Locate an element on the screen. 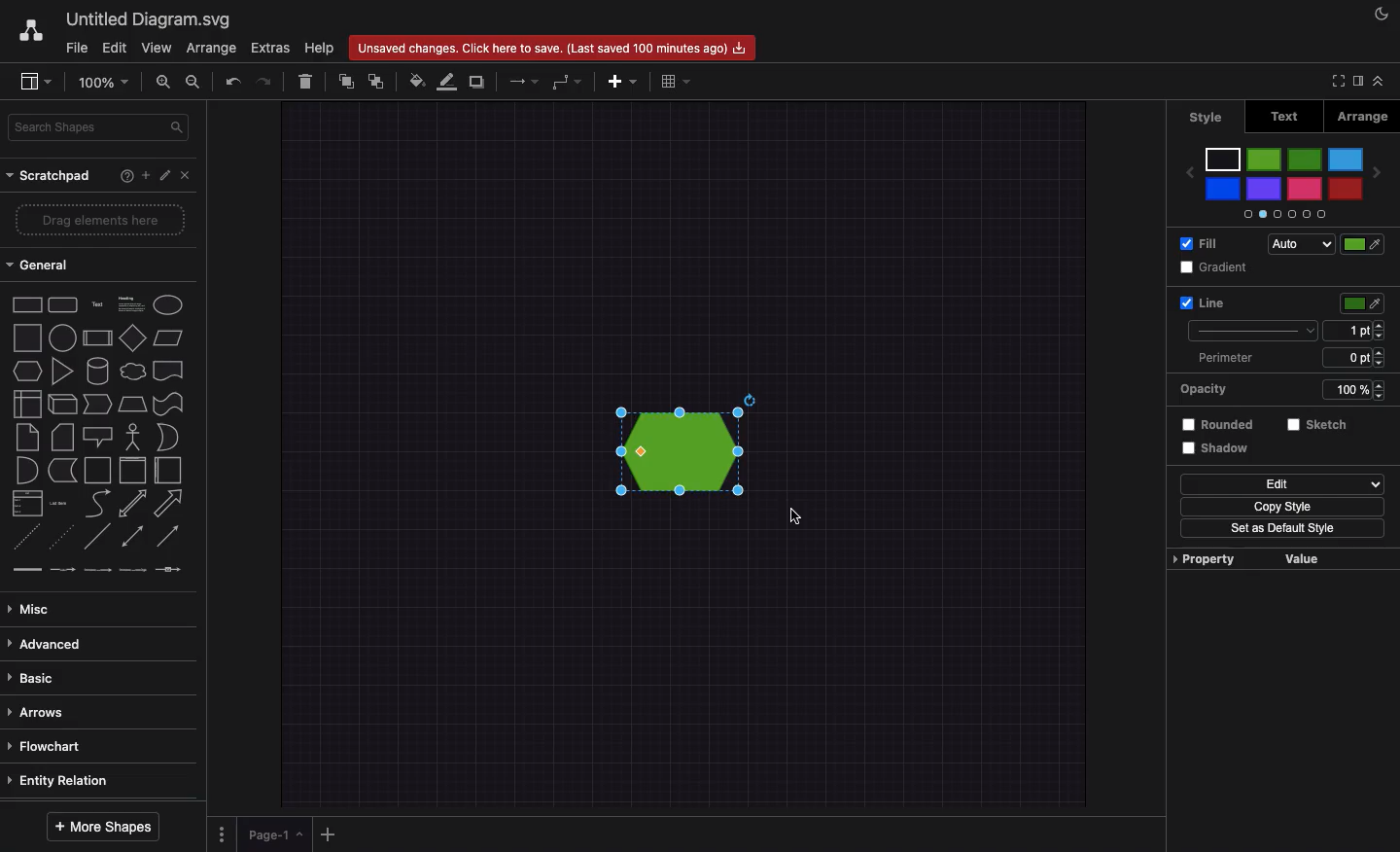 Image resolution: width=1400 pixels, height=852 pixels. Colors is located at coordinates (1290, 183).